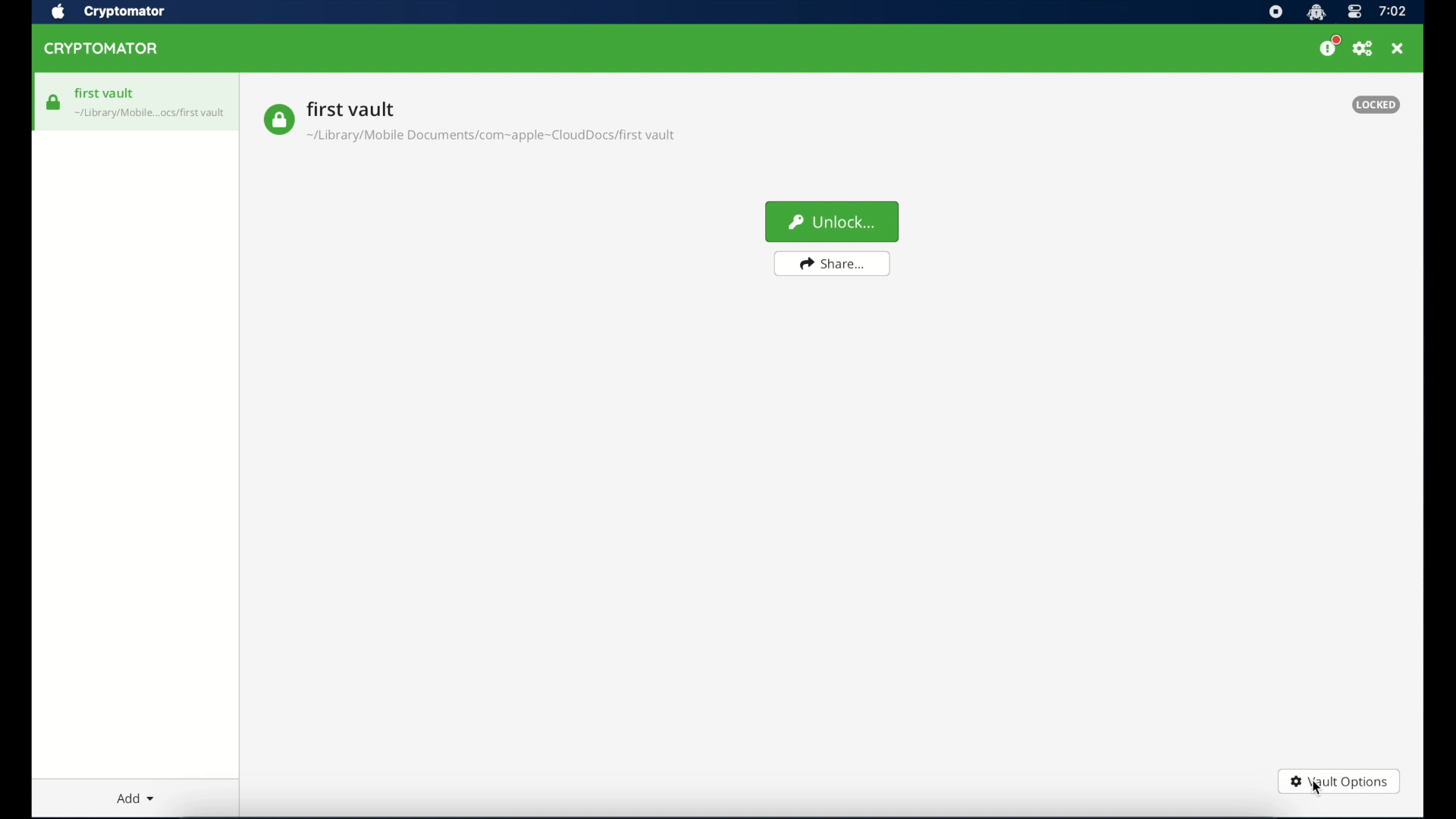 The width and height of the screenshot is (1456, 819). Describe the element at coordinates (57, 12) in the screenshot. I see `apple icon` at that location.